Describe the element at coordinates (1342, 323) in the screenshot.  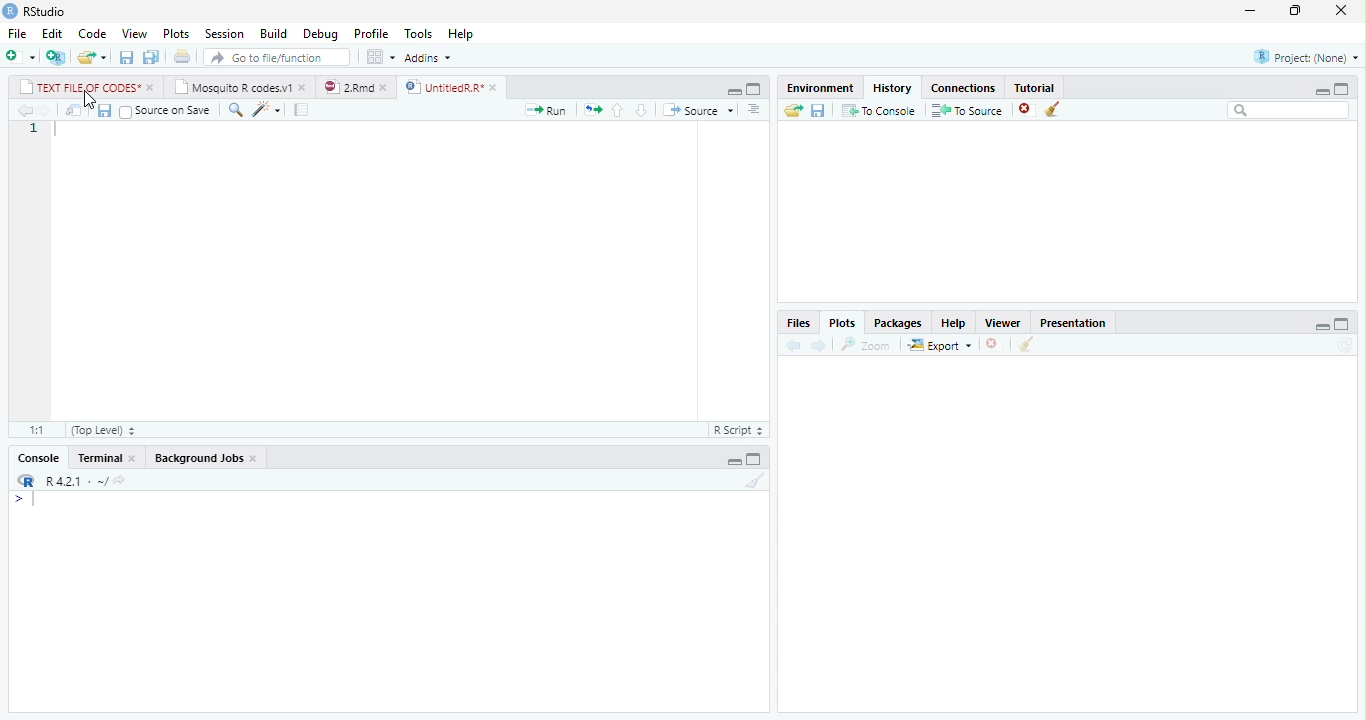
I see `maximize` at that location.